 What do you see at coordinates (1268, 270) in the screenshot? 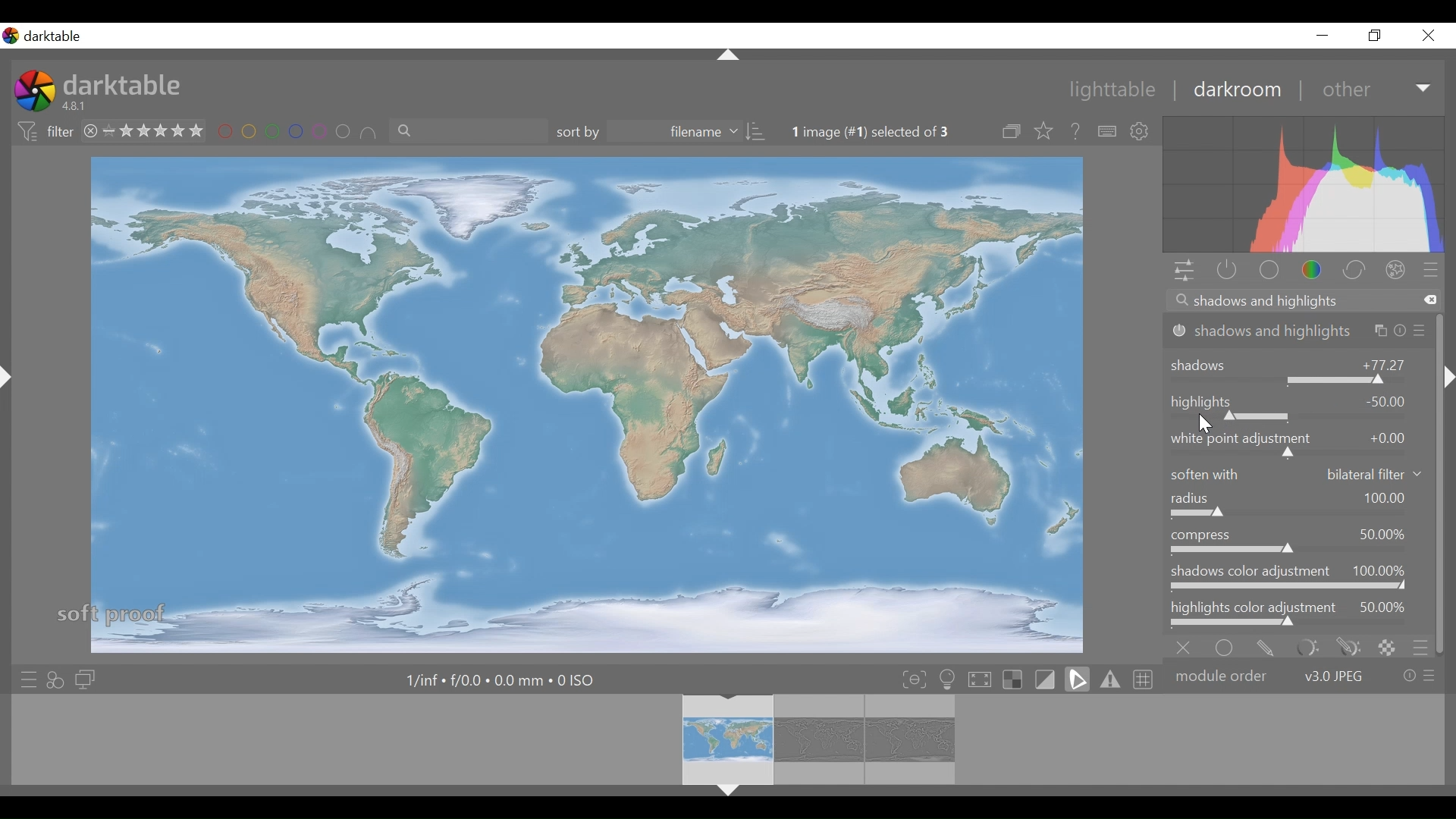
I see `base` at bounding box center [1268, 270].